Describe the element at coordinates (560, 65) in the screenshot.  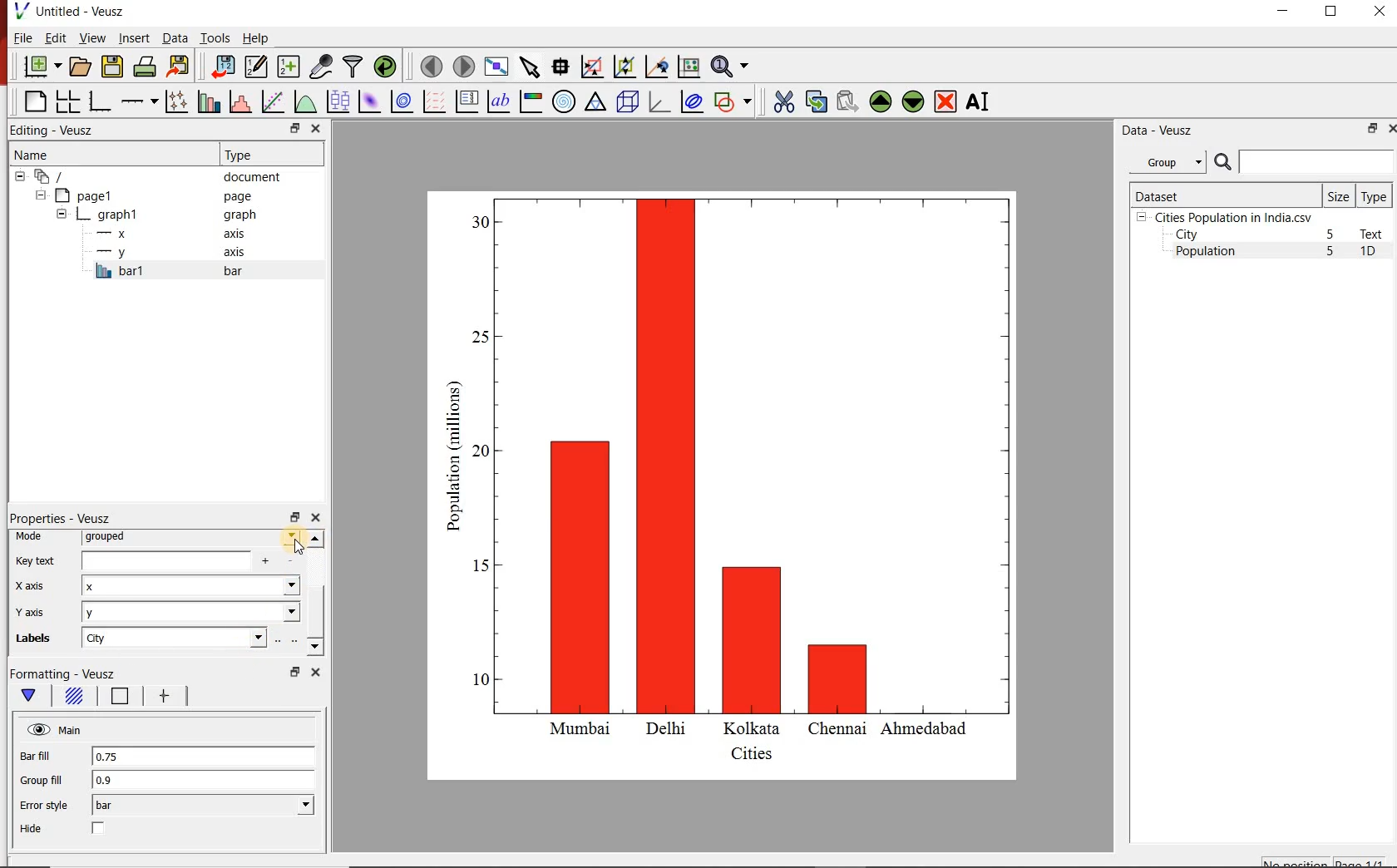
I see `read data points on the graph` at that location.